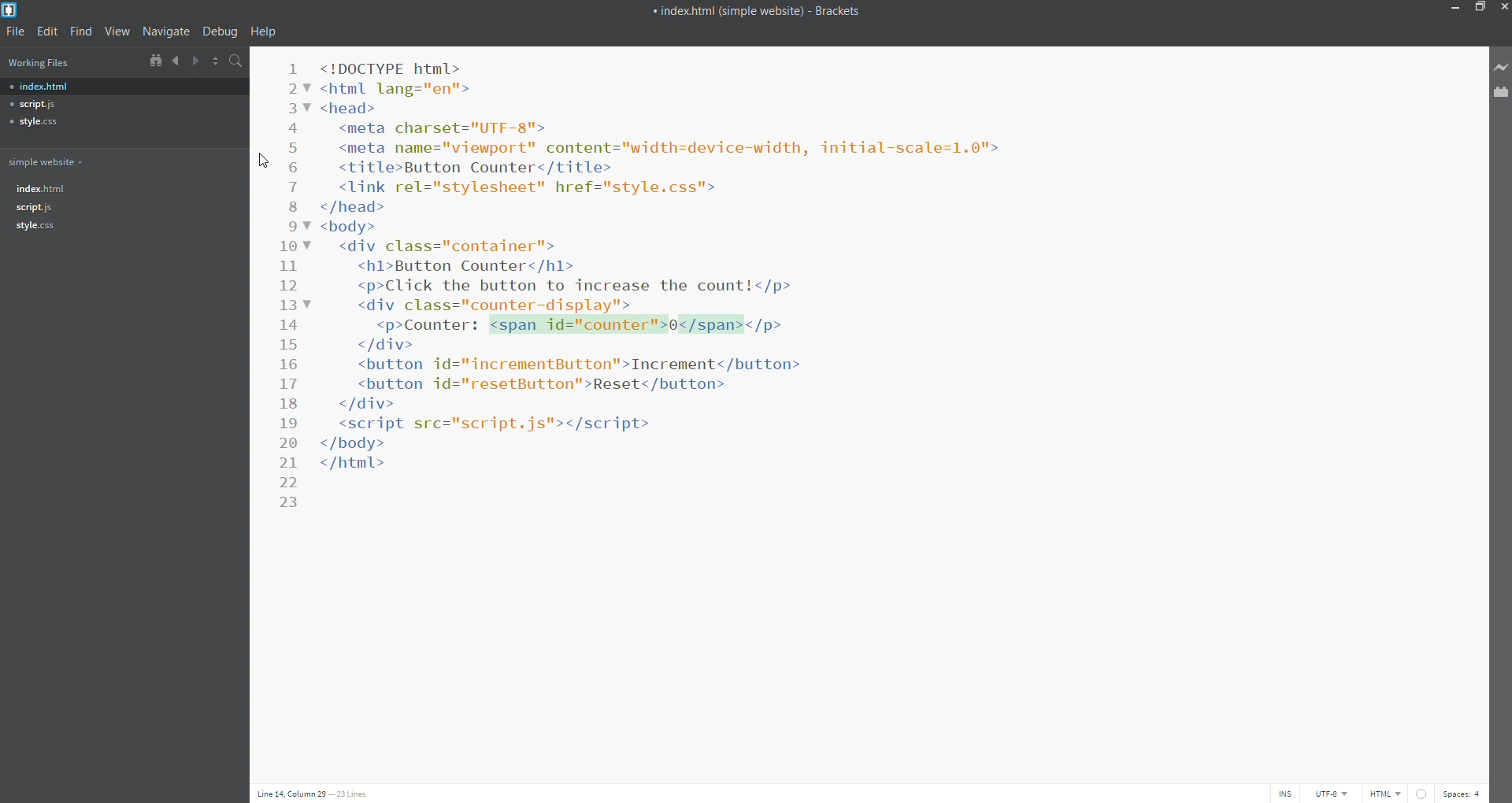 This screenshot has height=803, width=1512. Describe the element at coordinates (13, 31) in the screenshot. I see `file` at that location.